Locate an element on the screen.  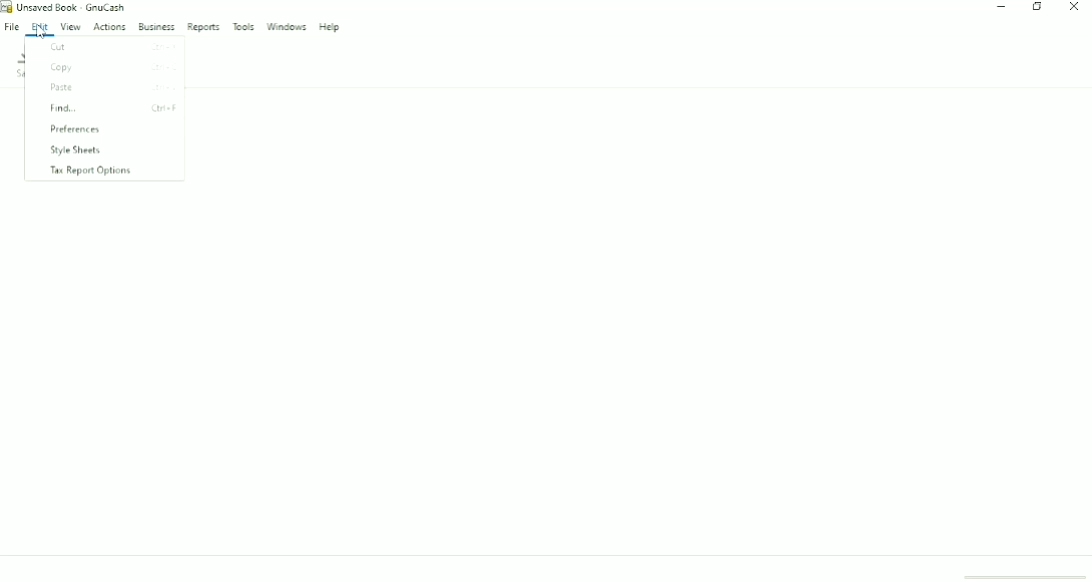
view is located at coordinates (73, 29).